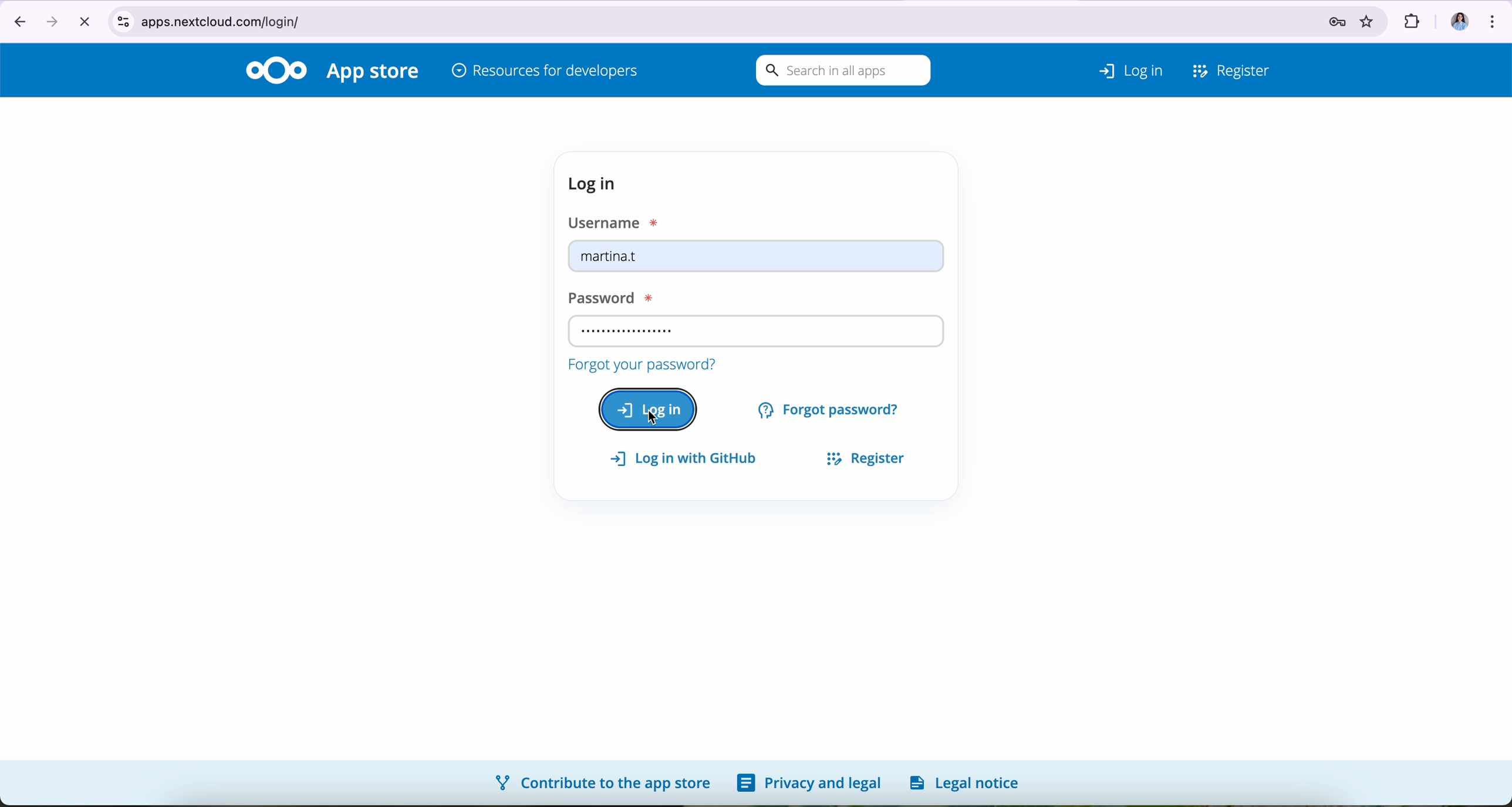 This screenshot has width=1512, height=807. Describe the element at coordinates (1232, 68) in the screenshot. I see `register` at that location.